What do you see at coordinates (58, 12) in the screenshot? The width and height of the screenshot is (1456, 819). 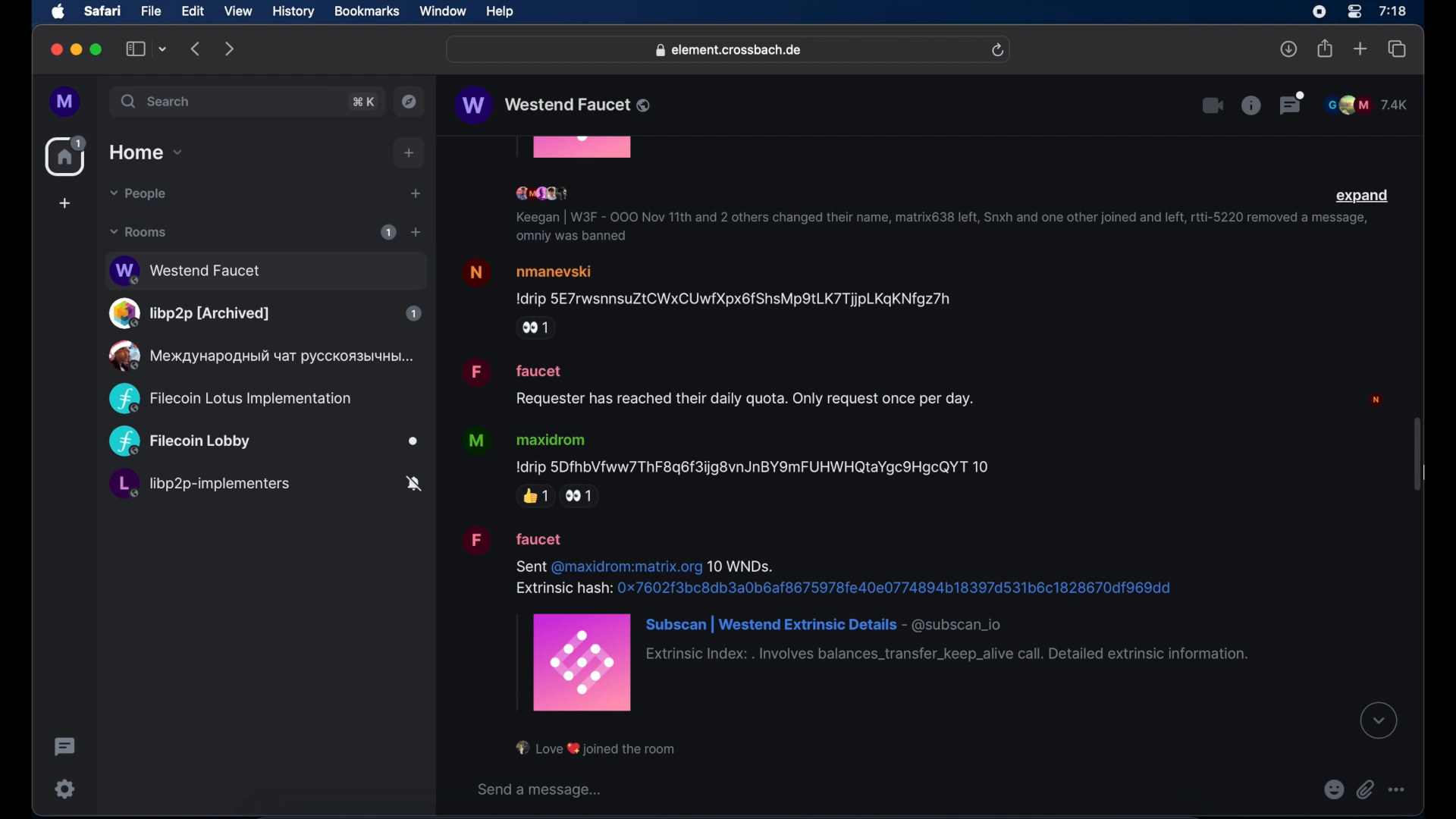 I see `apple icon` at bounding box center [58, 12].